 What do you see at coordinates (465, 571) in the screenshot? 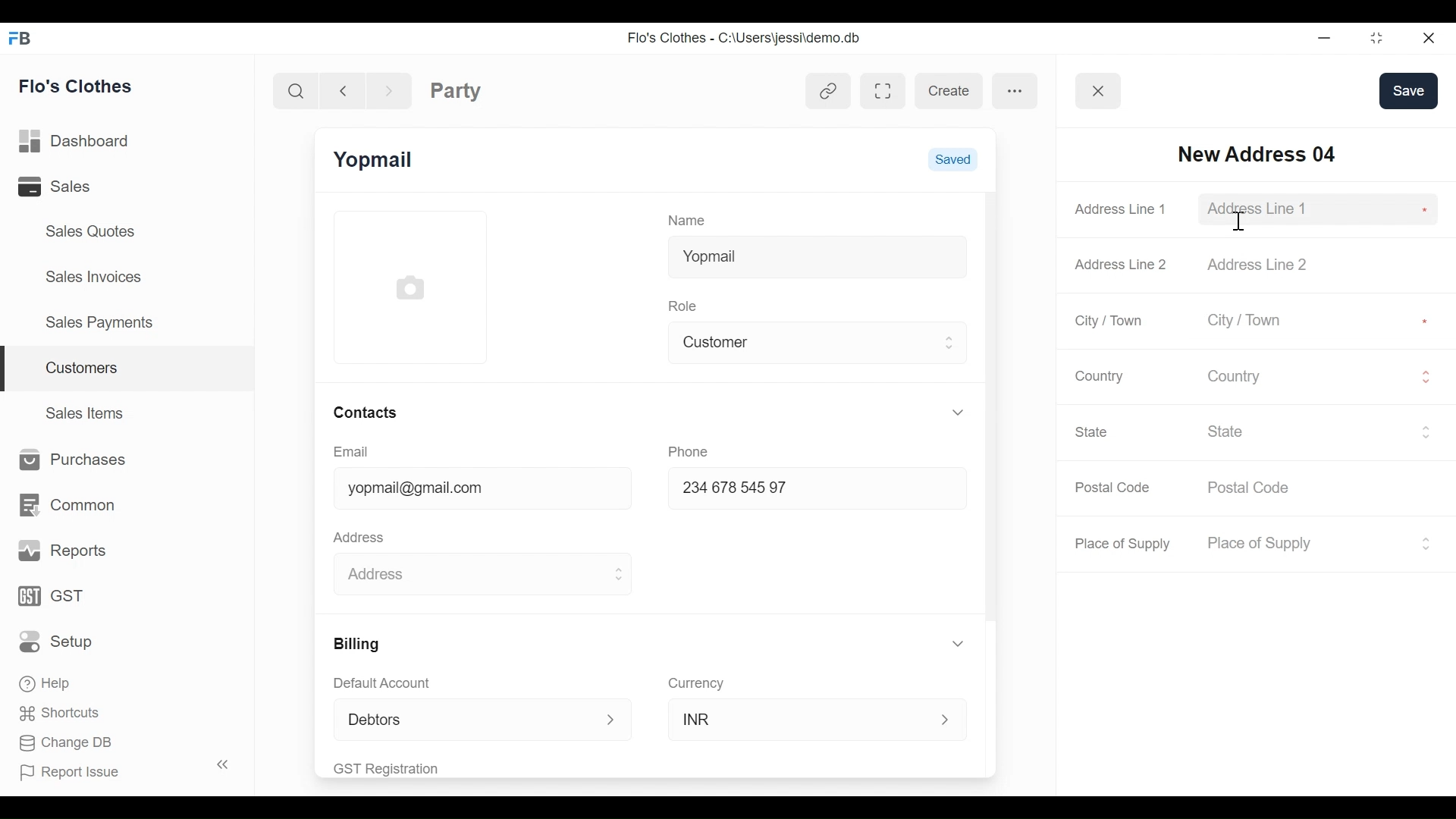
I see `Address` at bounding box center [465, 571].